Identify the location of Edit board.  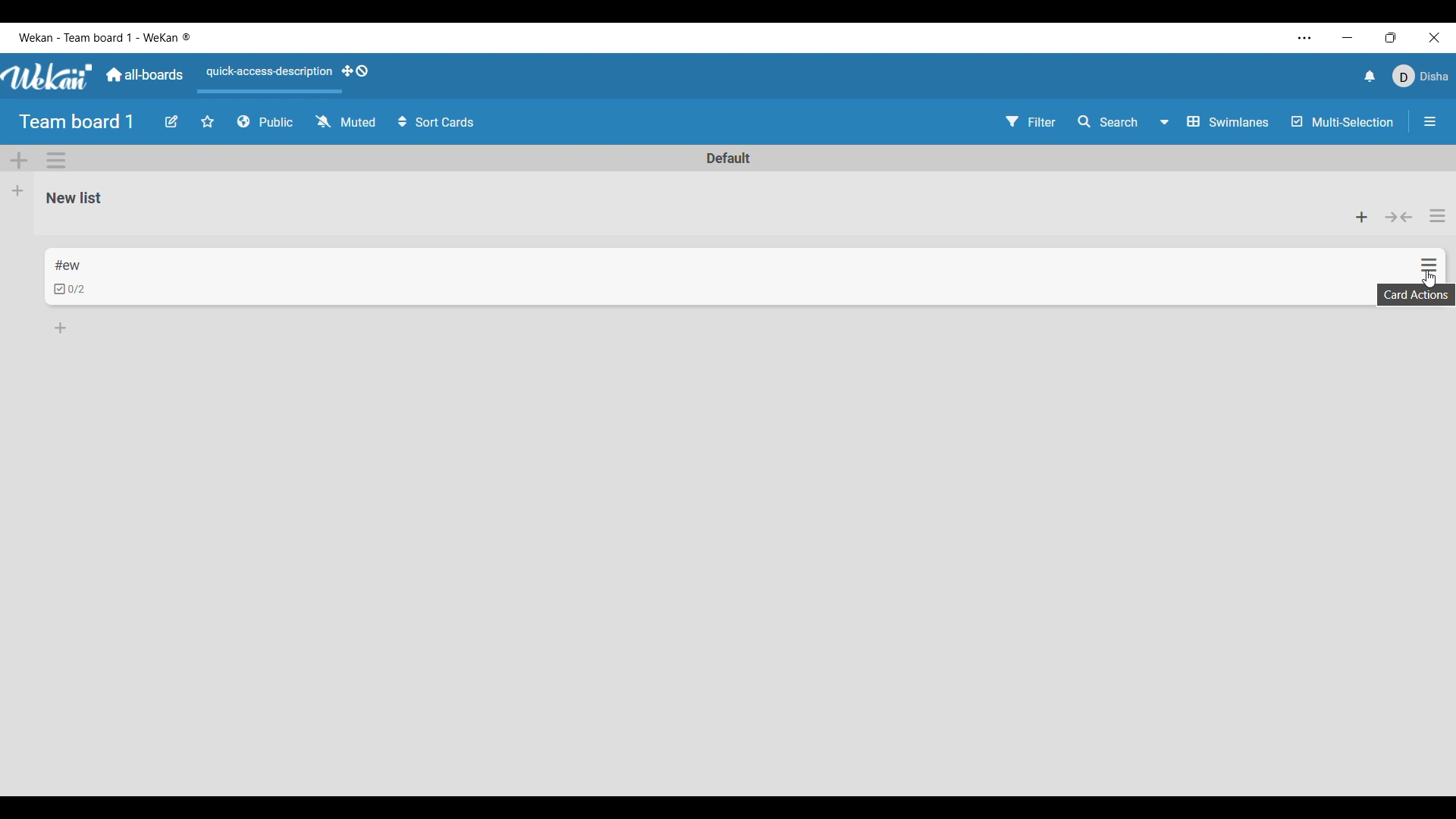
(171, 121).